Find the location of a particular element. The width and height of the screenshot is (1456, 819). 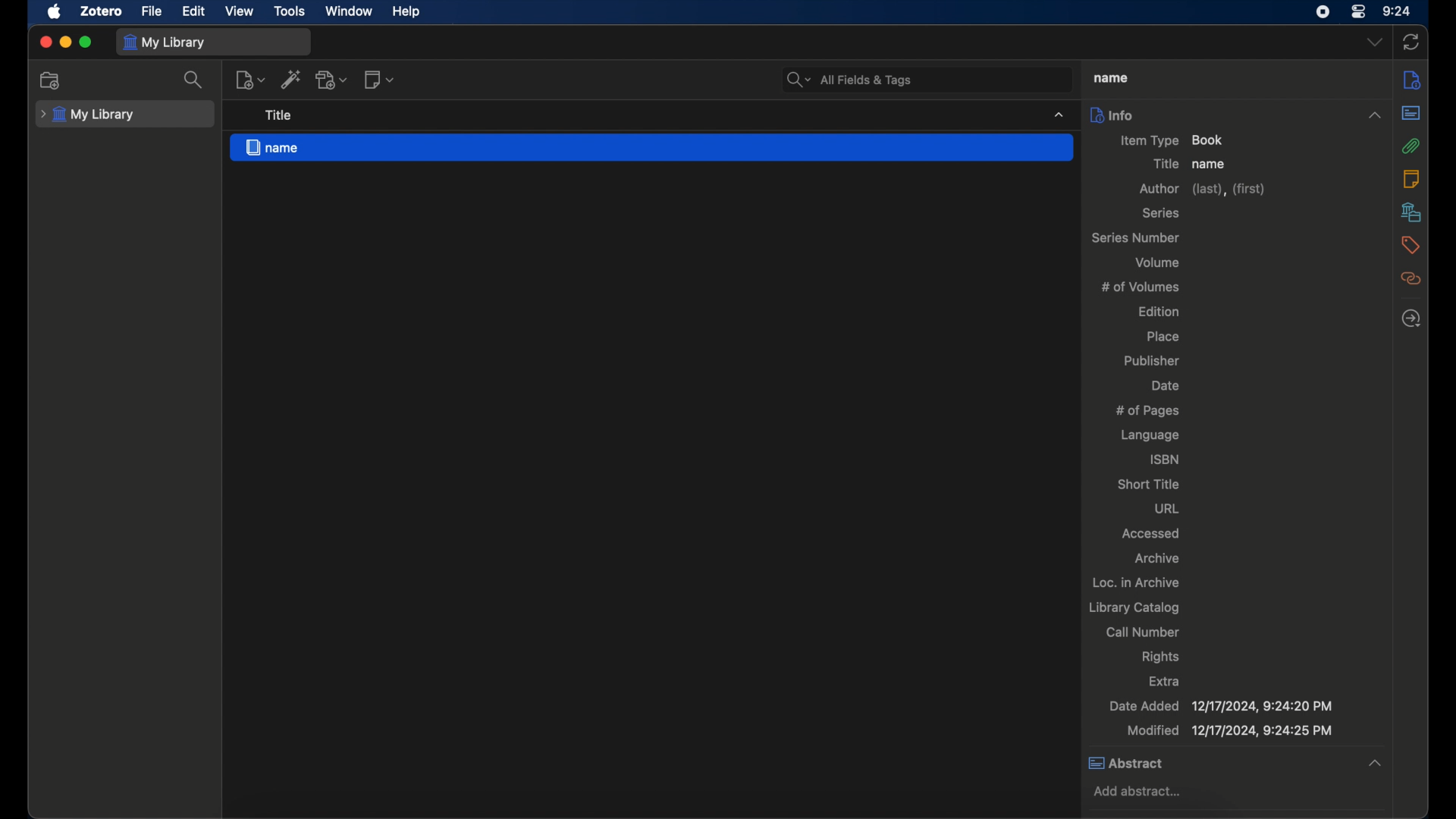

title is located at coordinates (1166, 163).